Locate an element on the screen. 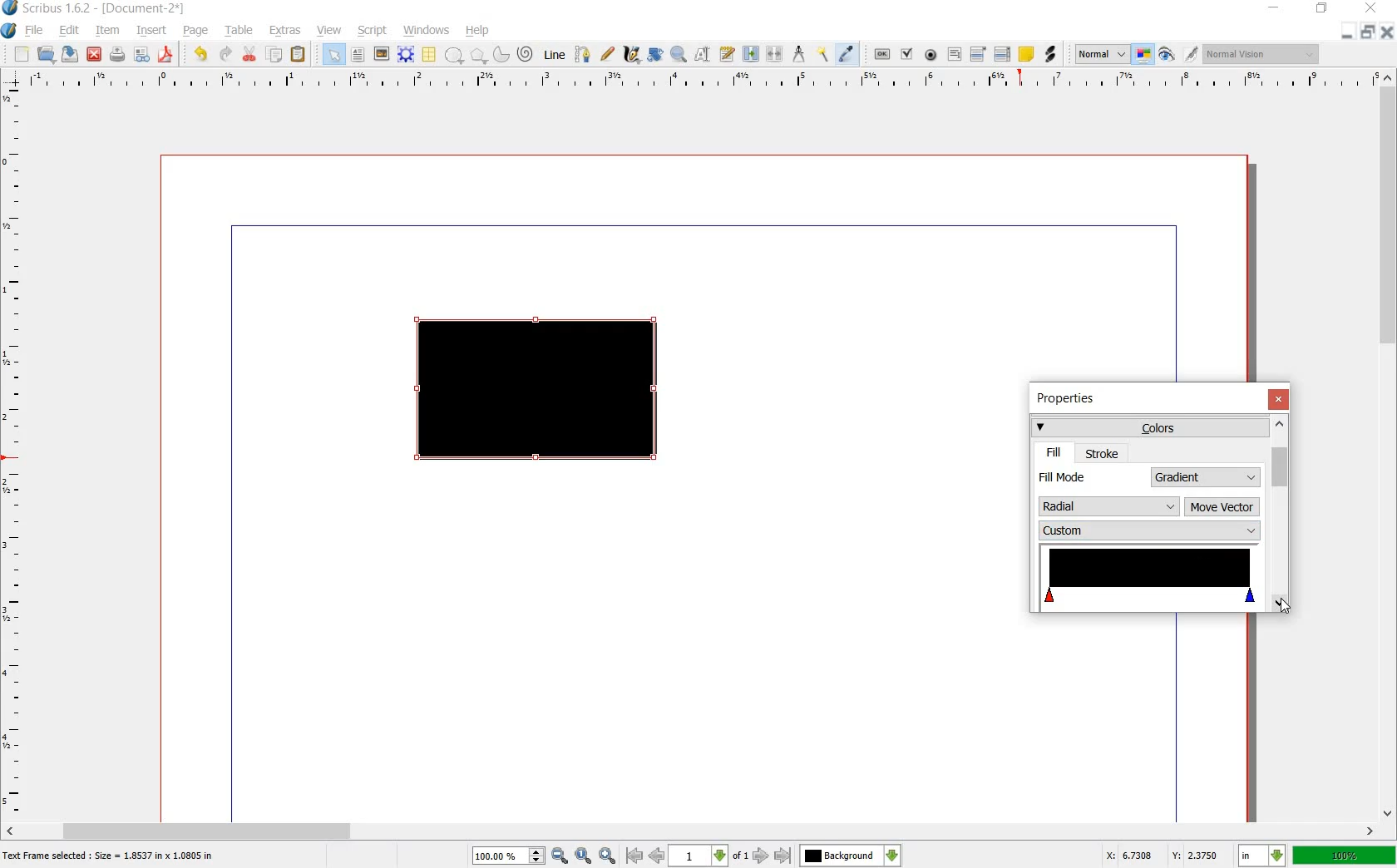  toggle color management system is located at coordinates (1144, 55).